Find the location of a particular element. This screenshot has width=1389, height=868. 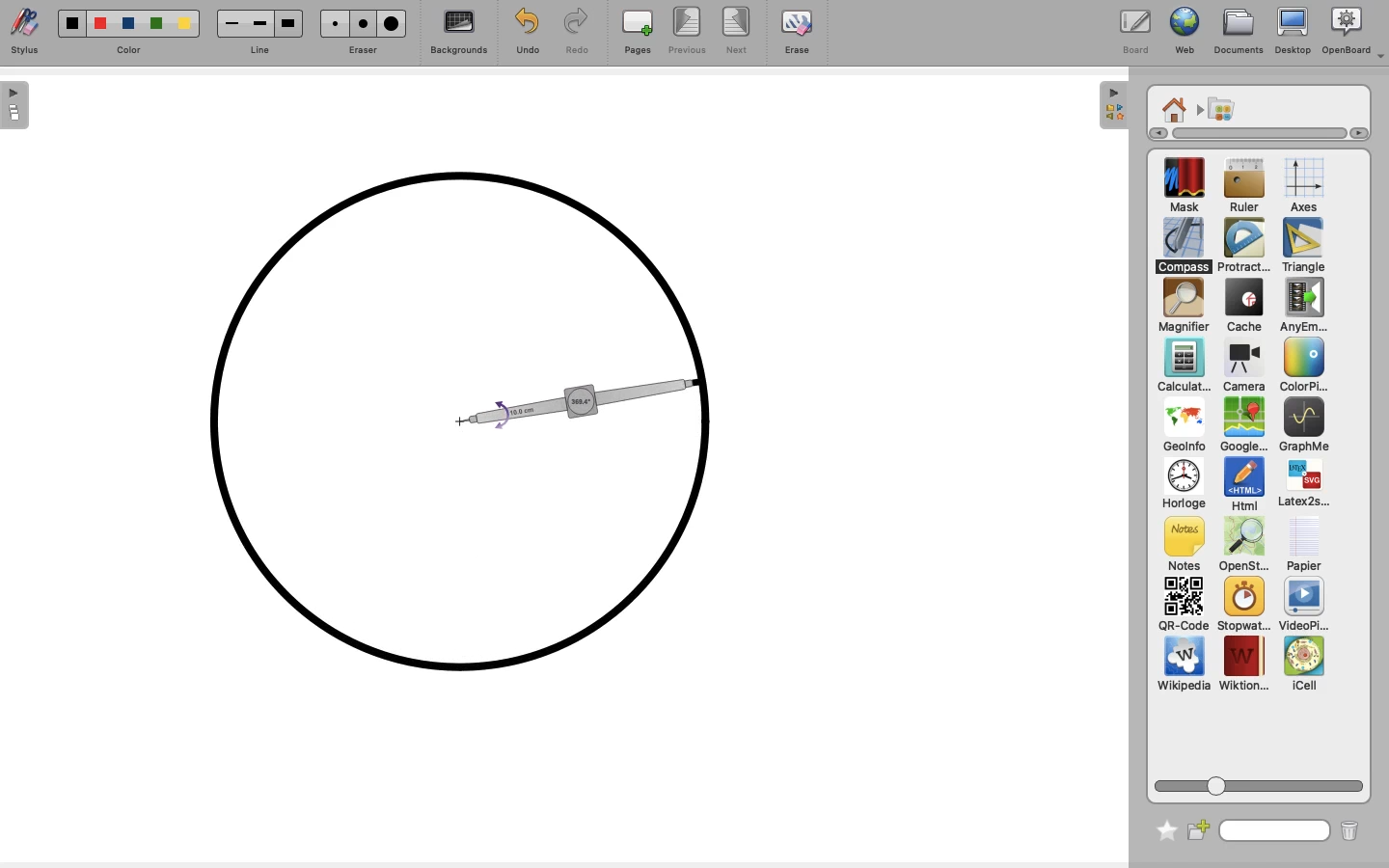

line is located at coordinates (258, 50).